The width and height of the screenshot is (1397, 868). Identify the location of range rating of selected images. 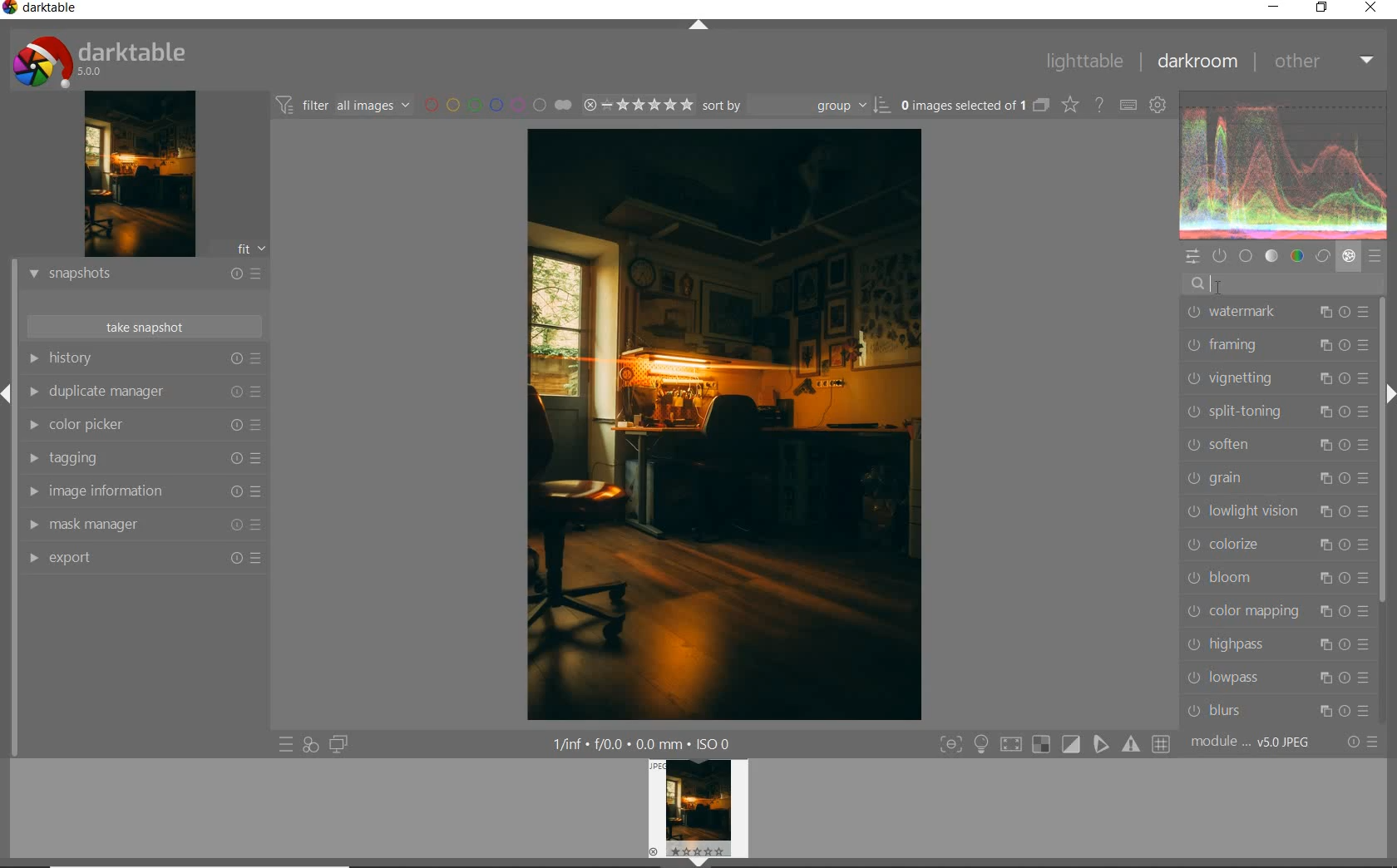
(638, 105).